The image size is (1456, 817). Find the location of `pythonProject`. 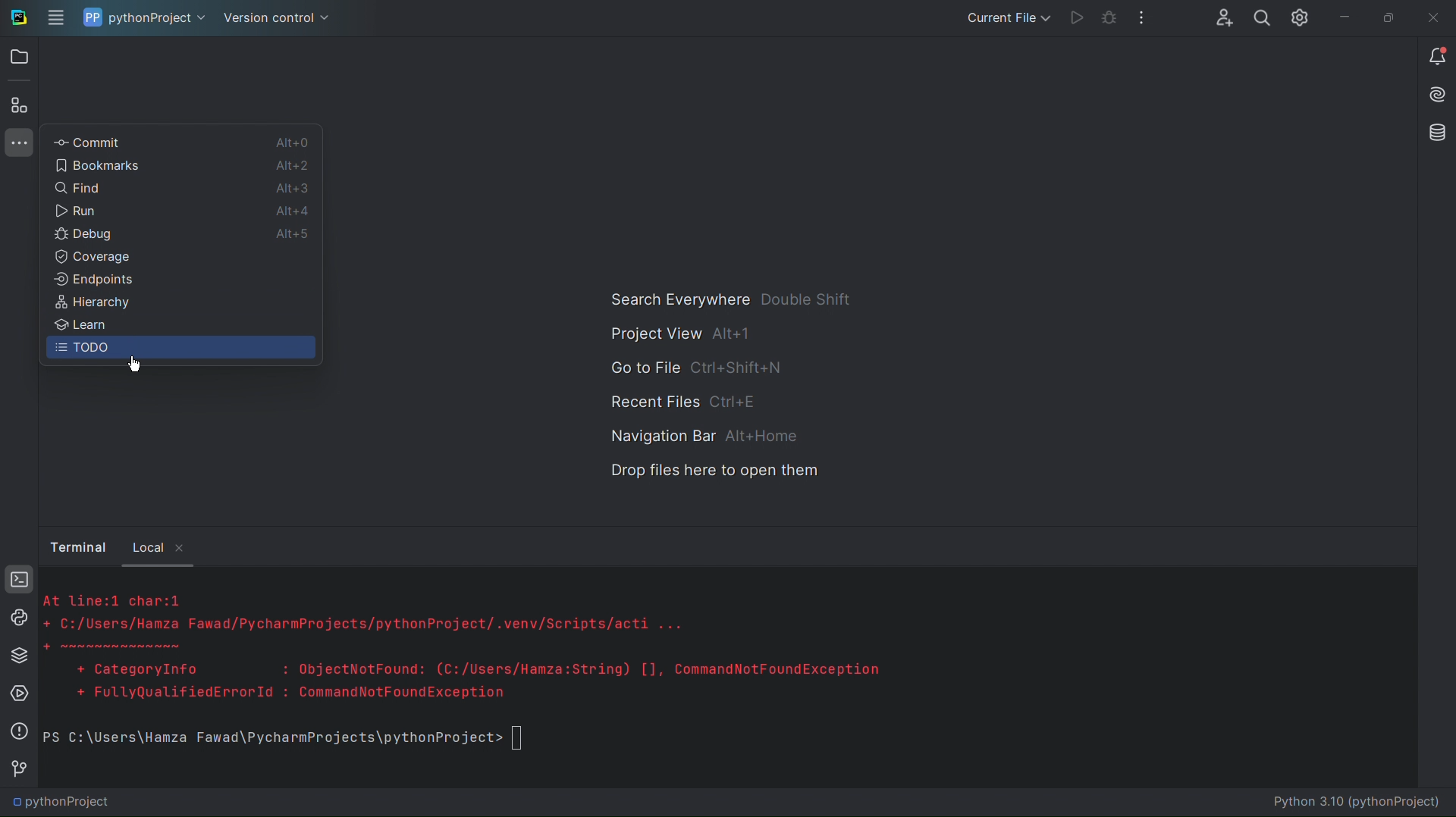

pythonProject is located at coordinates (64, 805).